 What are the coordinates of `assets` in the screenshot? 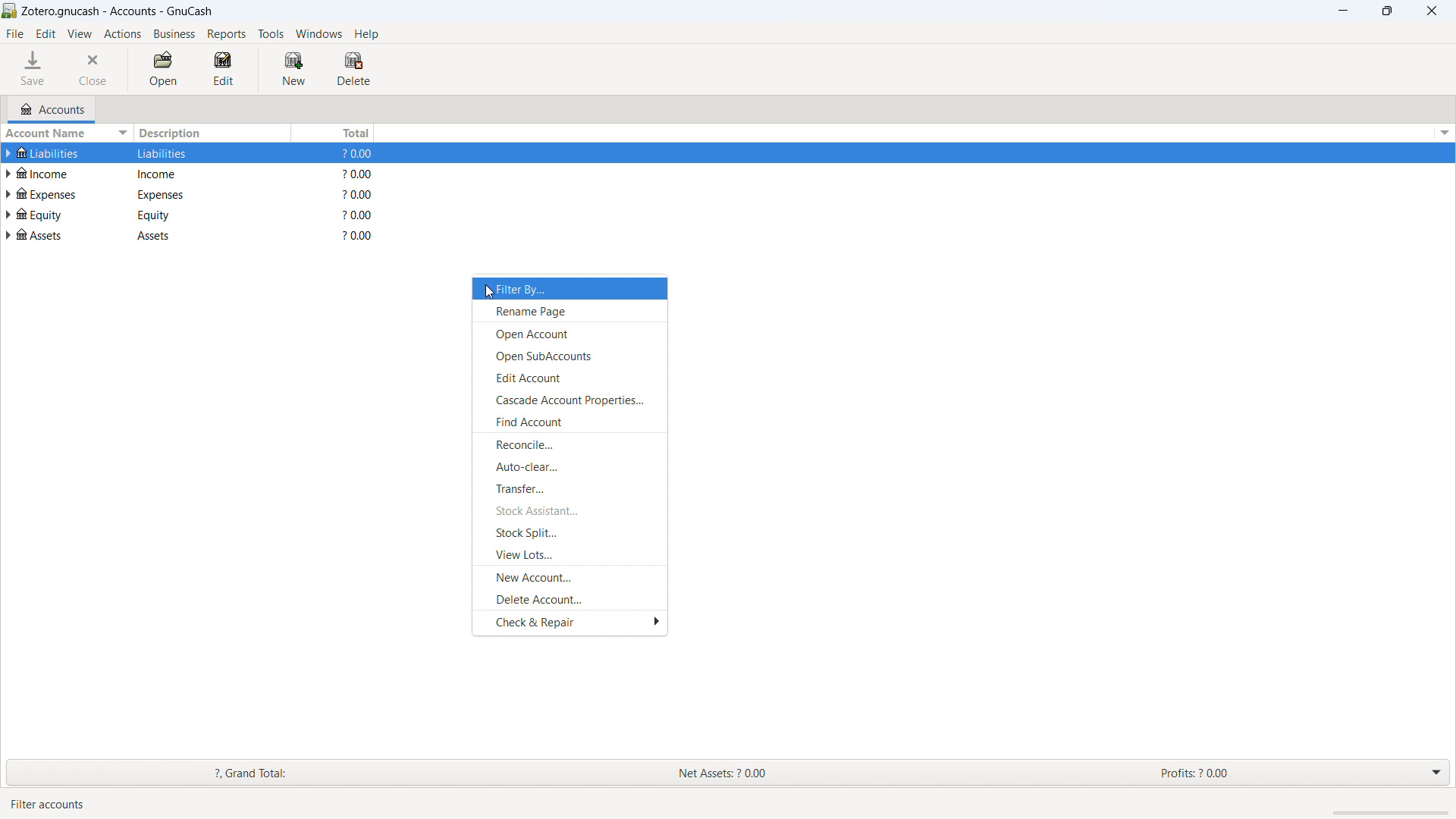 It's located at (168, 237).